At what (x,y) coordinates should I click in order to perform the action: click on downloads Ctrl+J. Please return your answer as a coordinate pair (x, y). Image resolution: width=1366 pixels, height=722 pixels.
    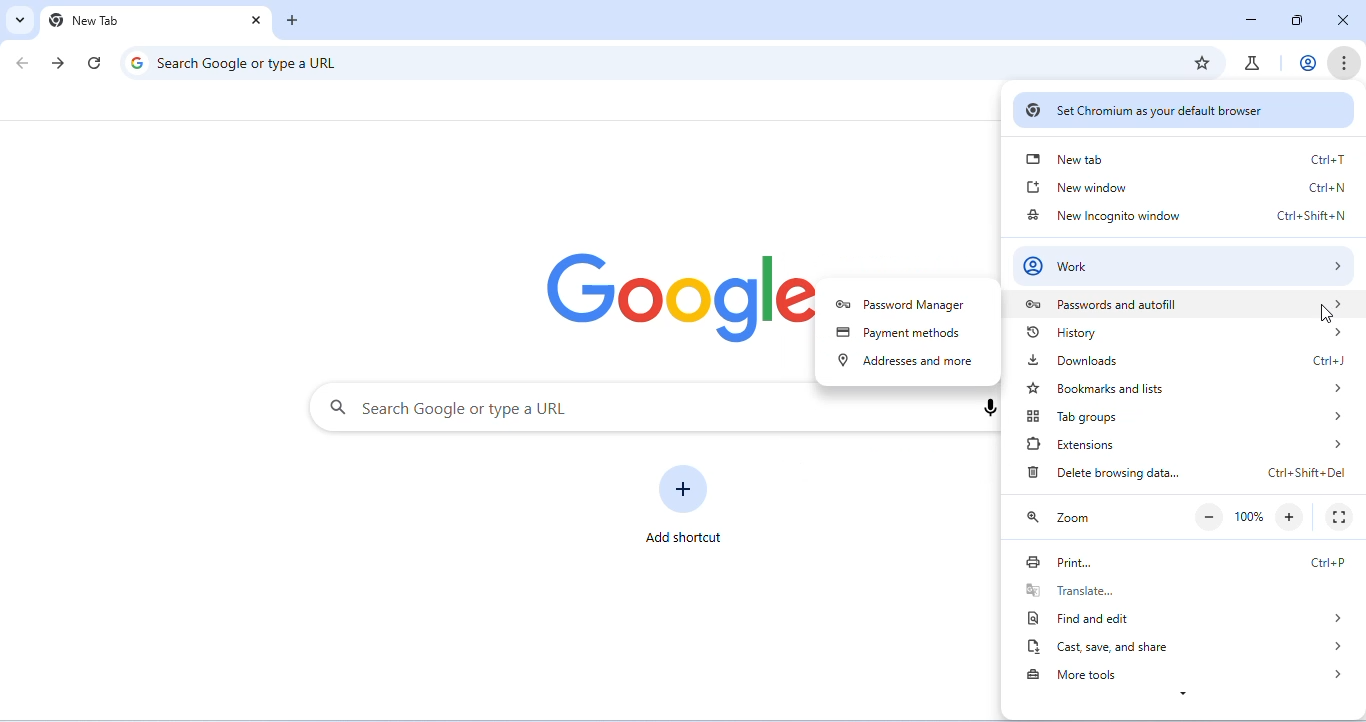
    Looking at the image, I should click on (1184, 362).